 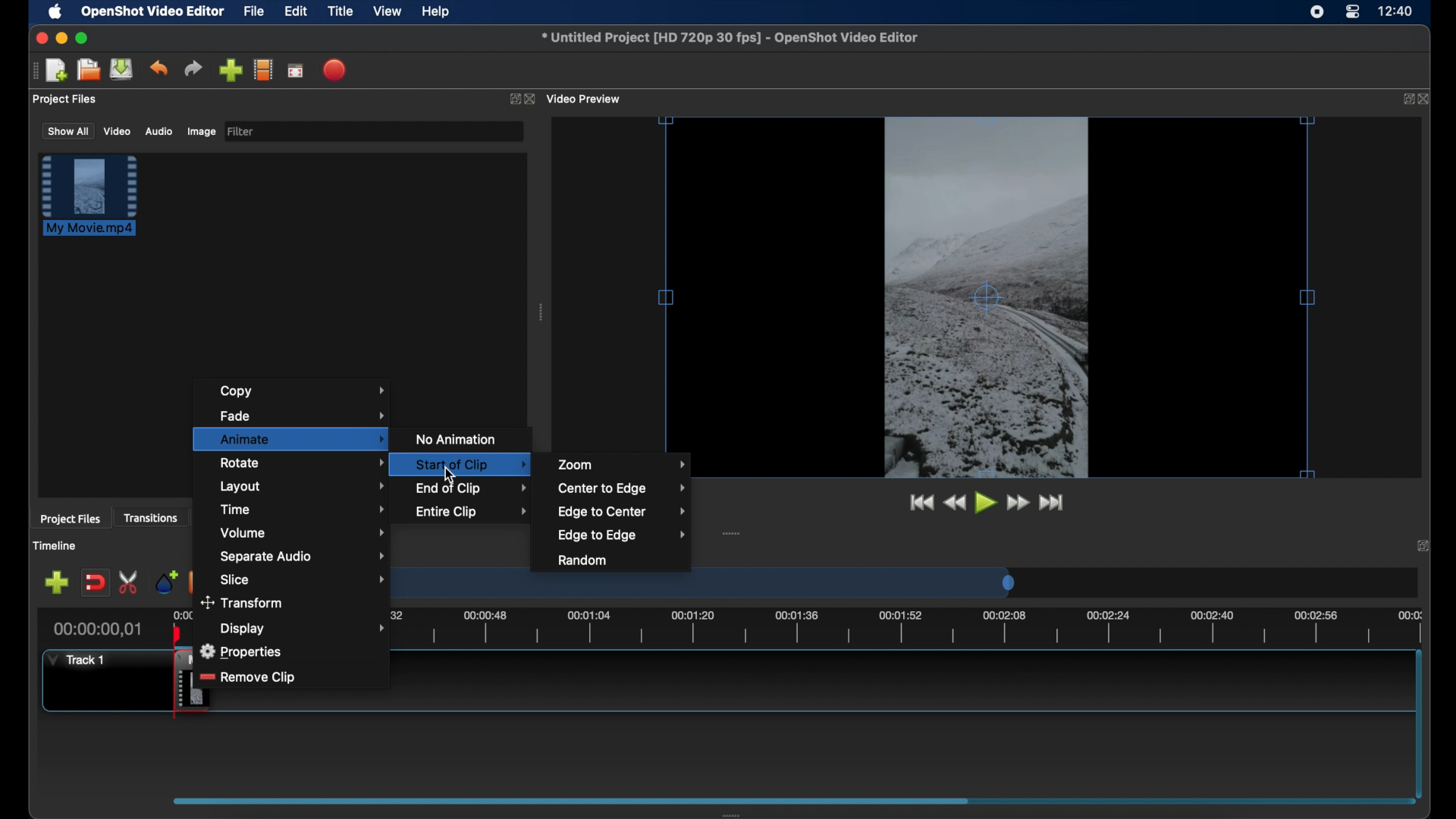 I want to click on remove clip, so click(x=249, y=678).